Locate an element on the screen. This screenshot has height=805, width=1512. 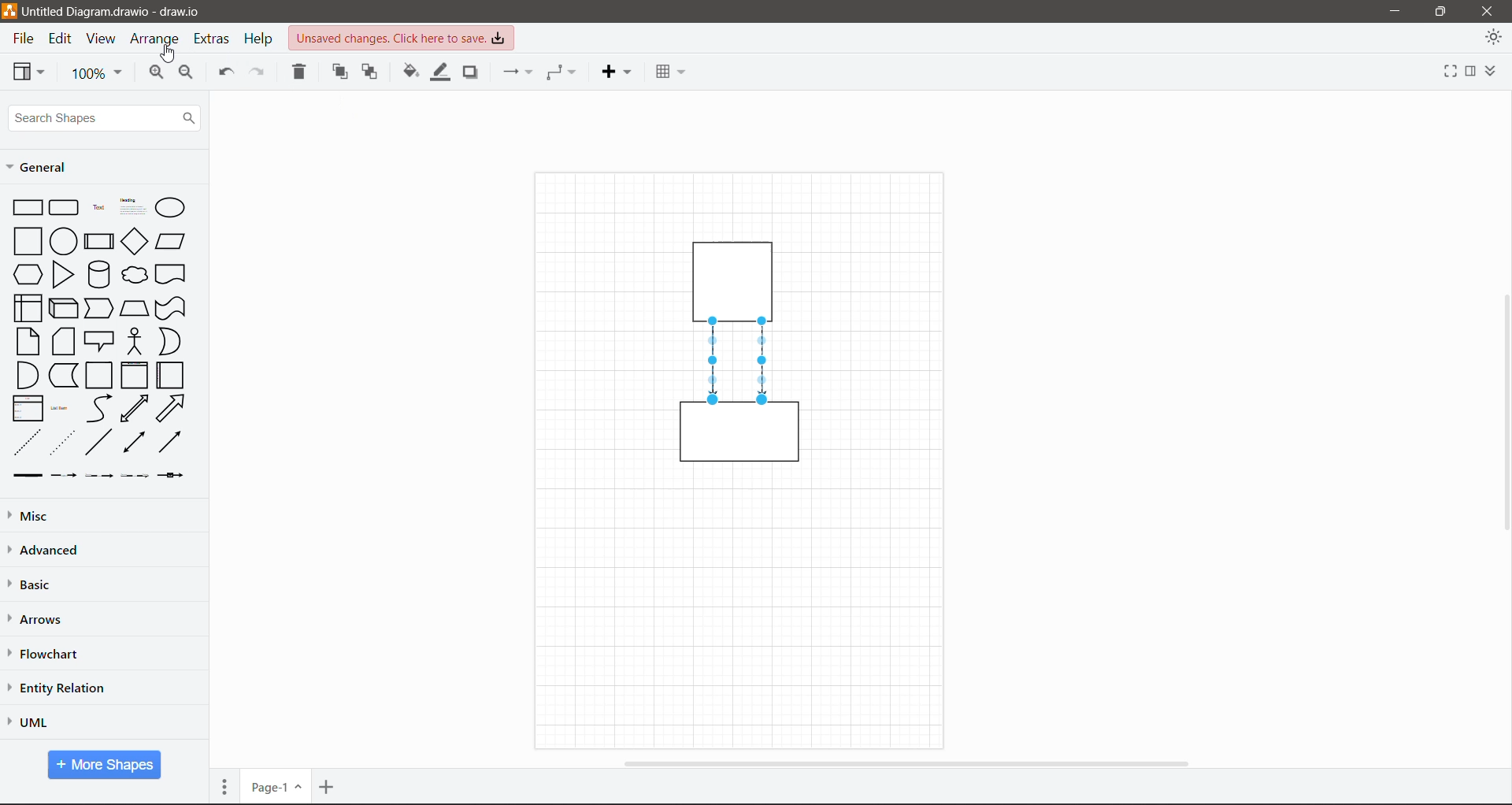
connector label is located at coordinates (64, 475).